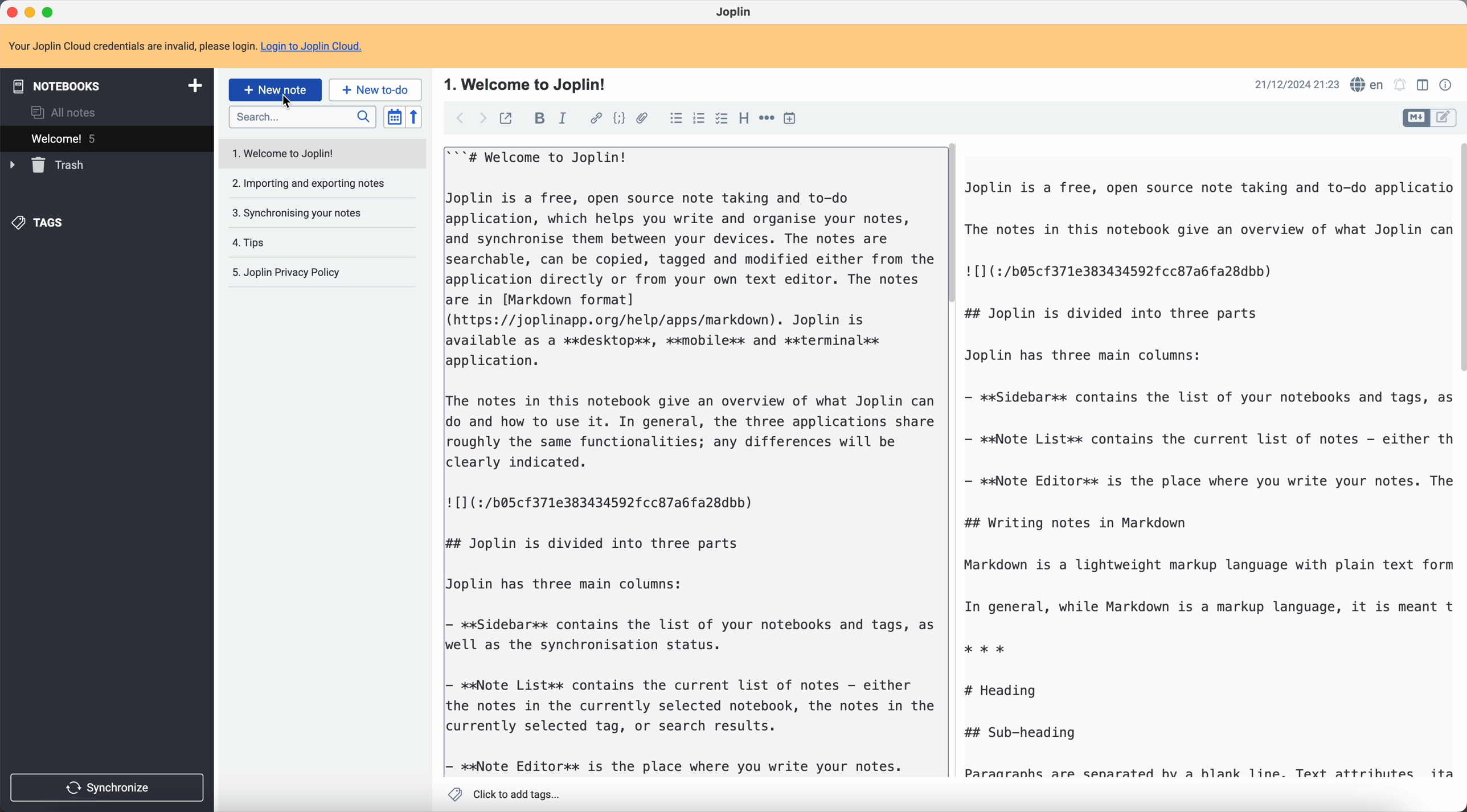 This screenshot has height=812, width=1467. Describe the element at coordinates (691, 458) in the screenshot. I see `body text` at that location.